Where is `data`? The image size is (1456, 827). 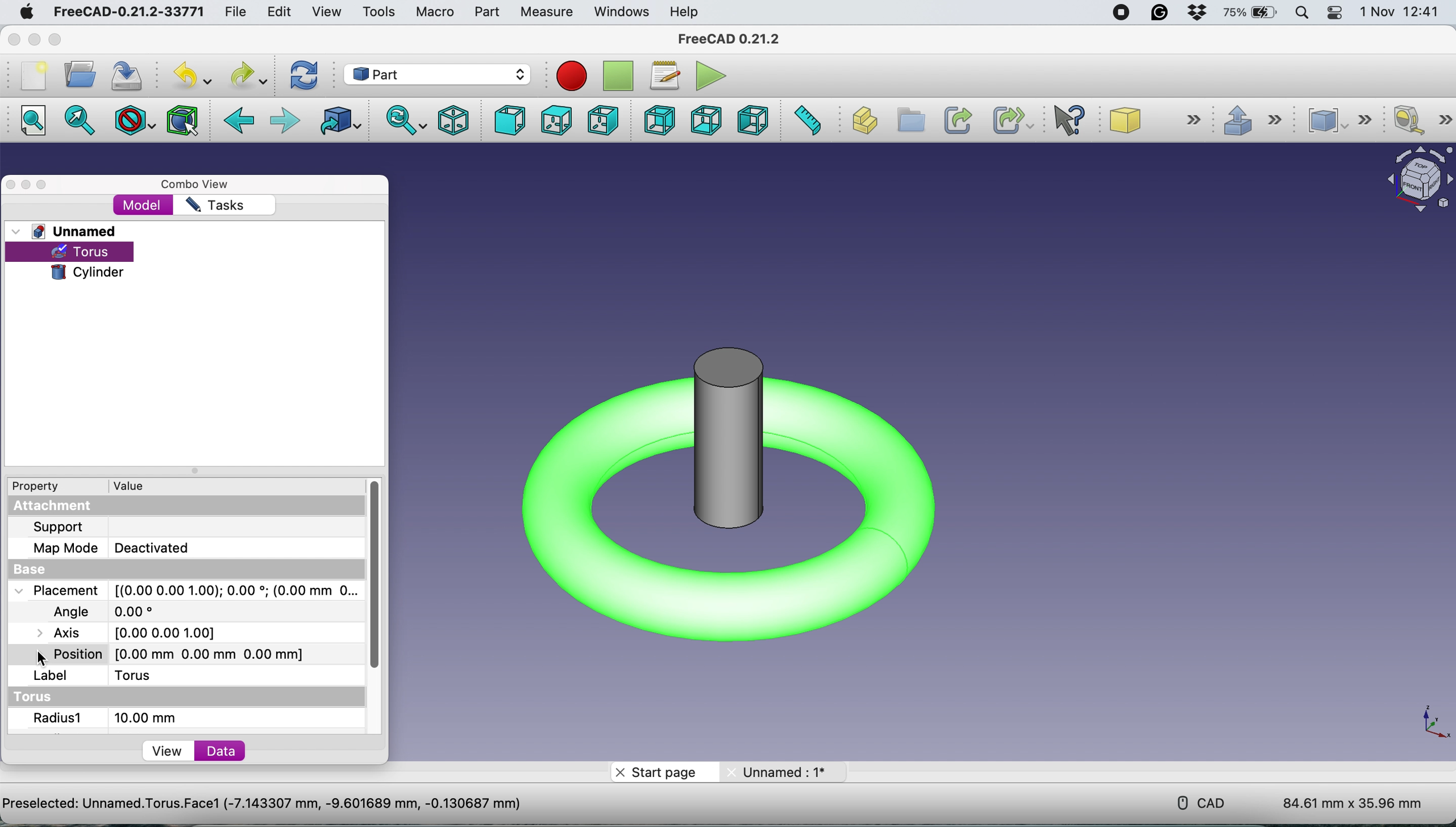
data is located at coordinates (224, 751).